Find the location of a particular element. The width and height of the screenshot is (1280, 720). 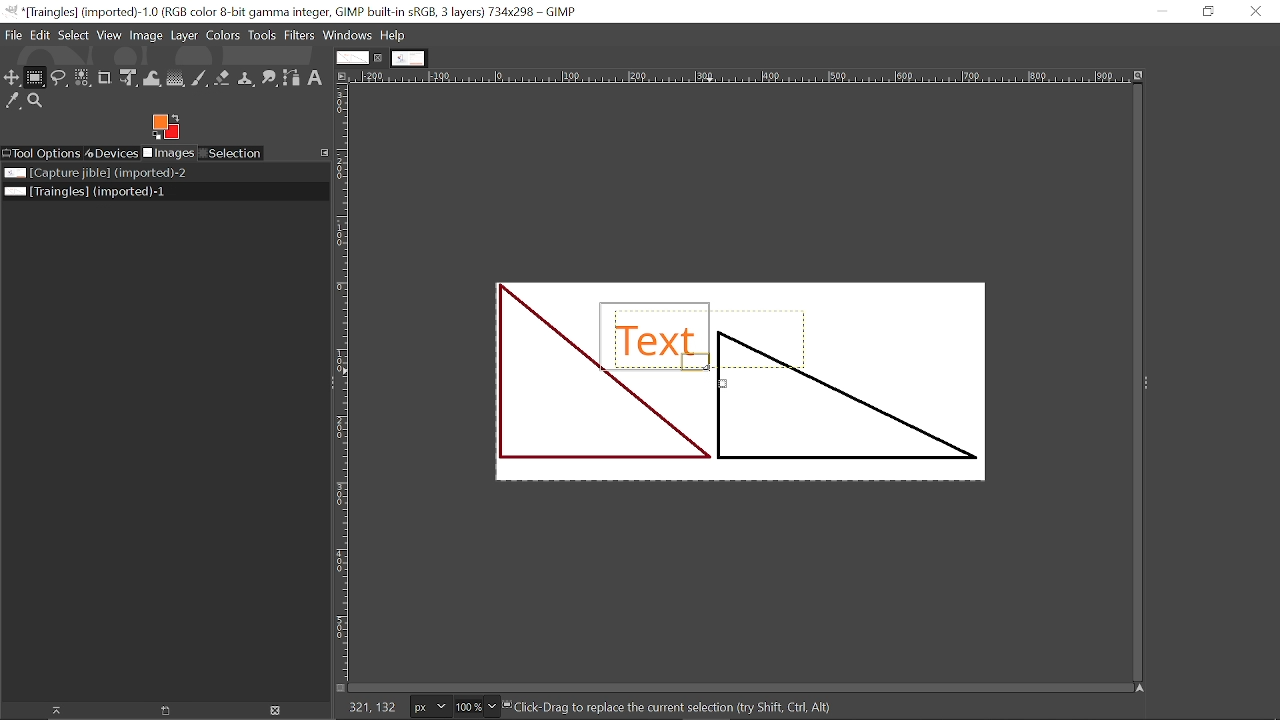

“ck-Drag to replace the current selection dry Shift, Cirl, AR) is located at coordinates (685, 706).